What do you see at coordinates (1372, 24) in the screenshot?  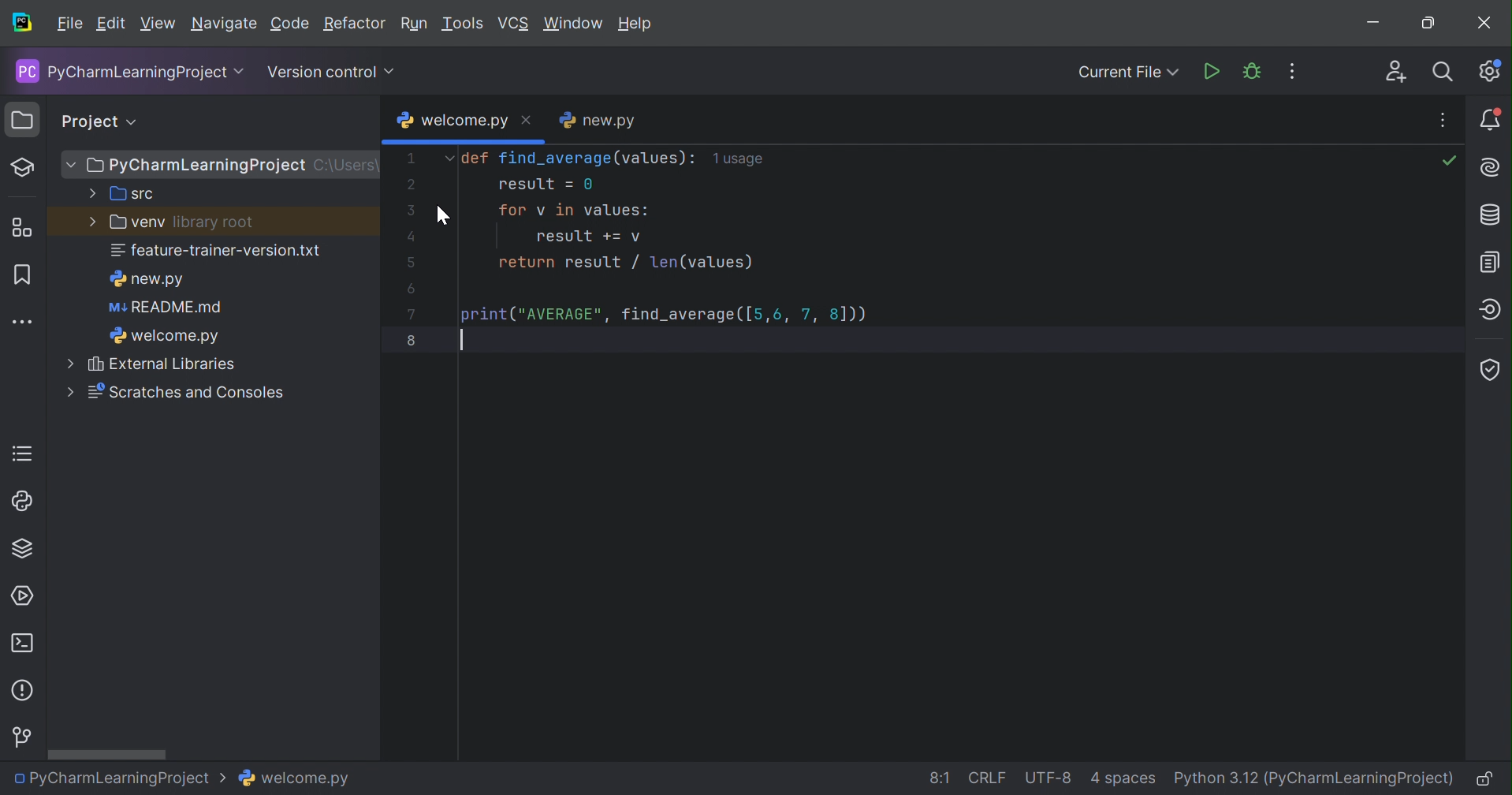 I see `Minimize` at bounding box center [1372, 24].